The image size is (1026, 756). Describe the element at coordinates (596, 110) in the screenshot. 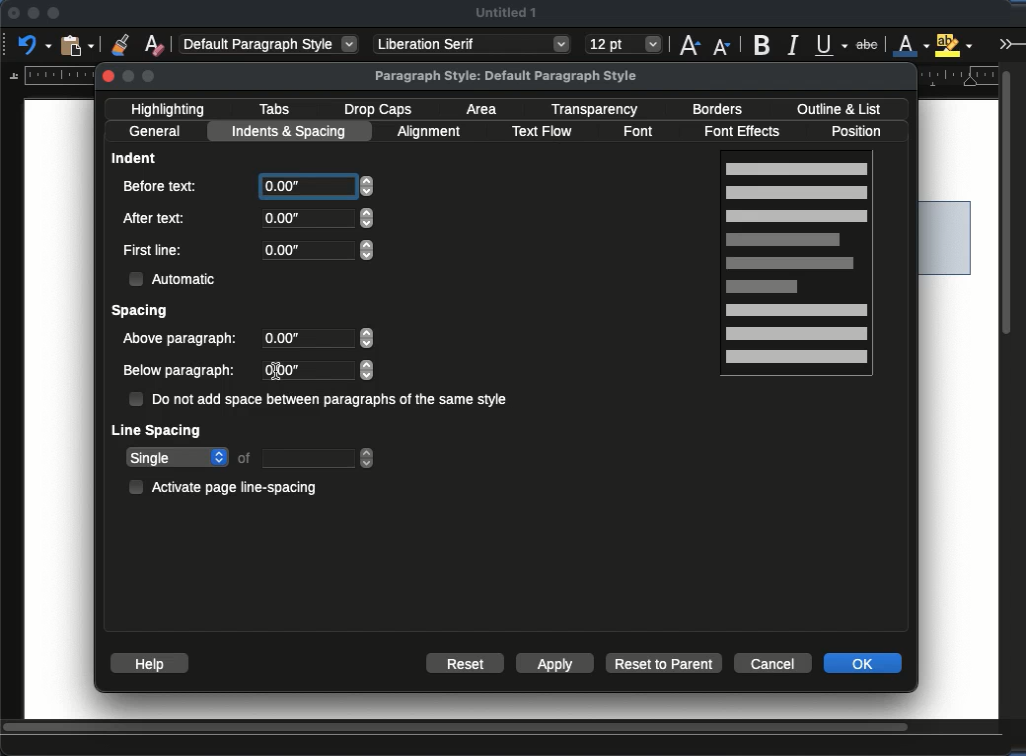

I see `transparency` at that location.